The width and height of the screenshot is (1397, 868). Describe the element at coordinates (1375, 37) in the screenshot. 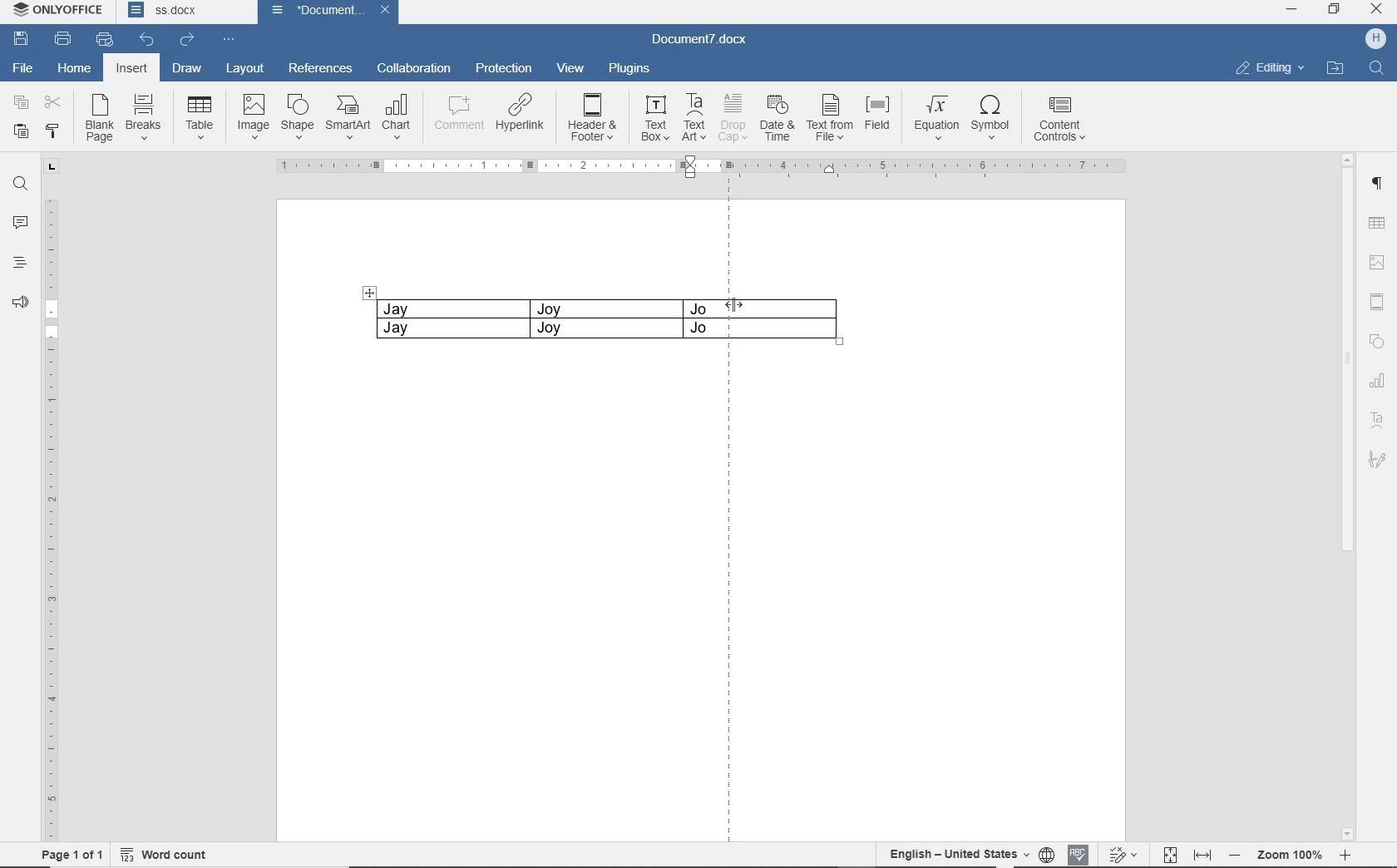

I see `HP` at that location.